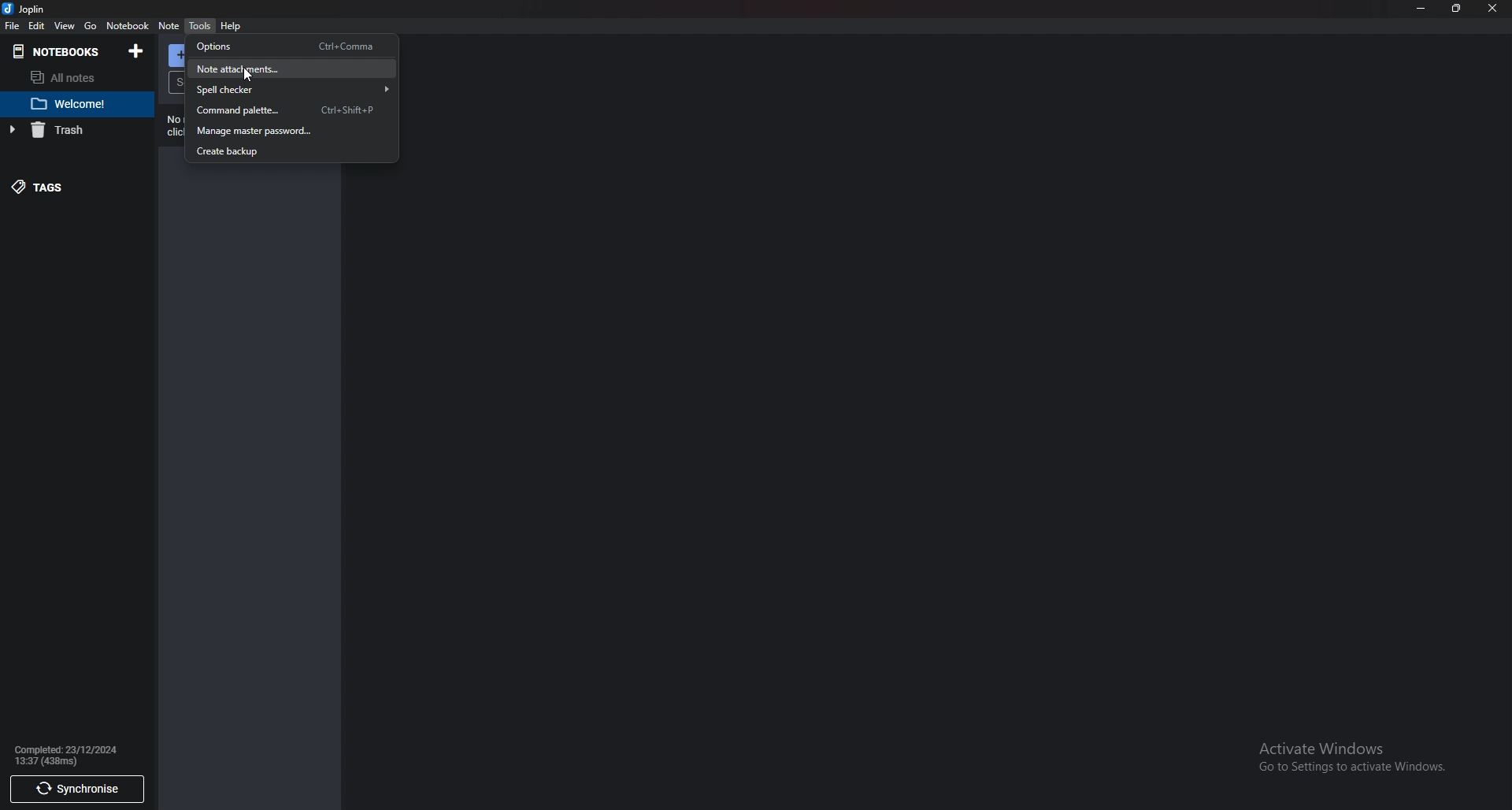  What do you see at coordinates (178, 127) in the screenshot?
I see `No notes in here. Create one by
clicking on "New note".` at bounding box center [178, 127].